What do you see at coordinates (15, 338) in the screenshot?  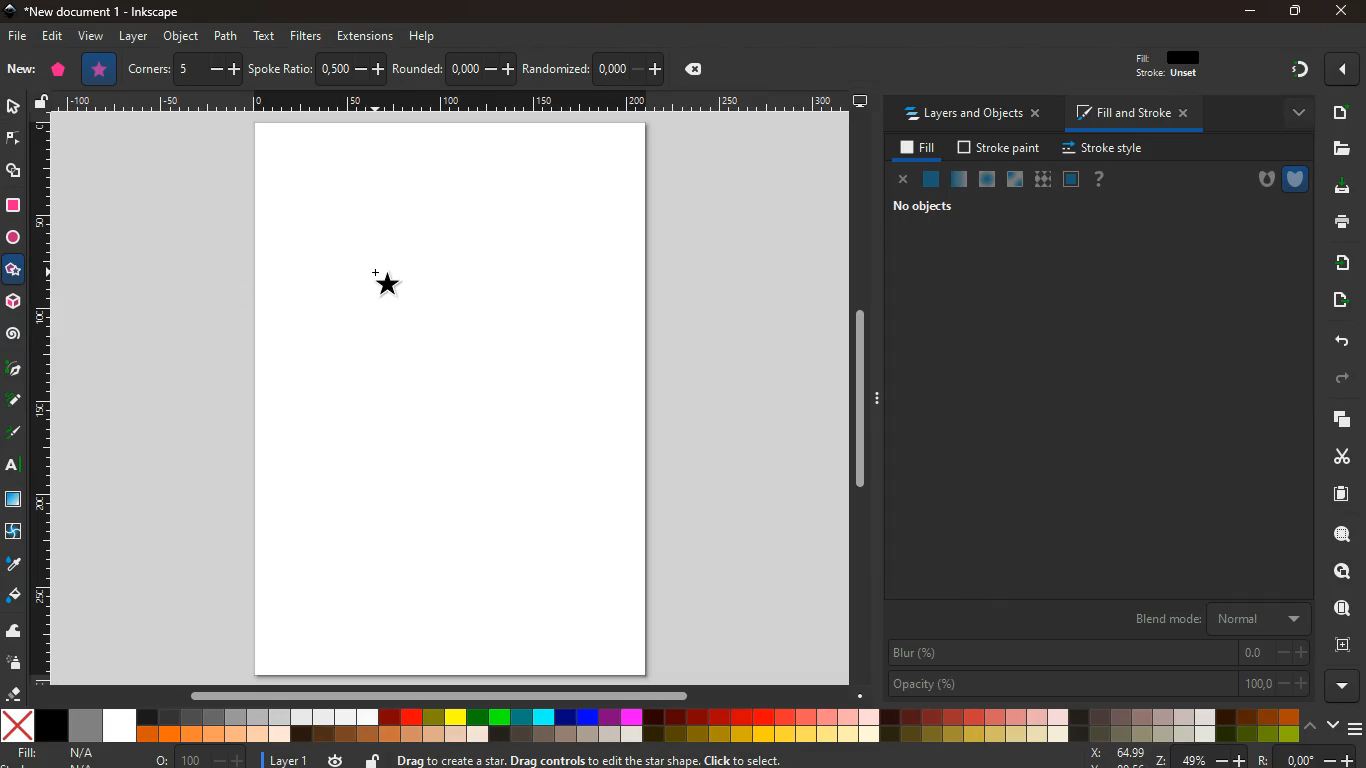 I see `spiral` at bounding box center [15, 338].